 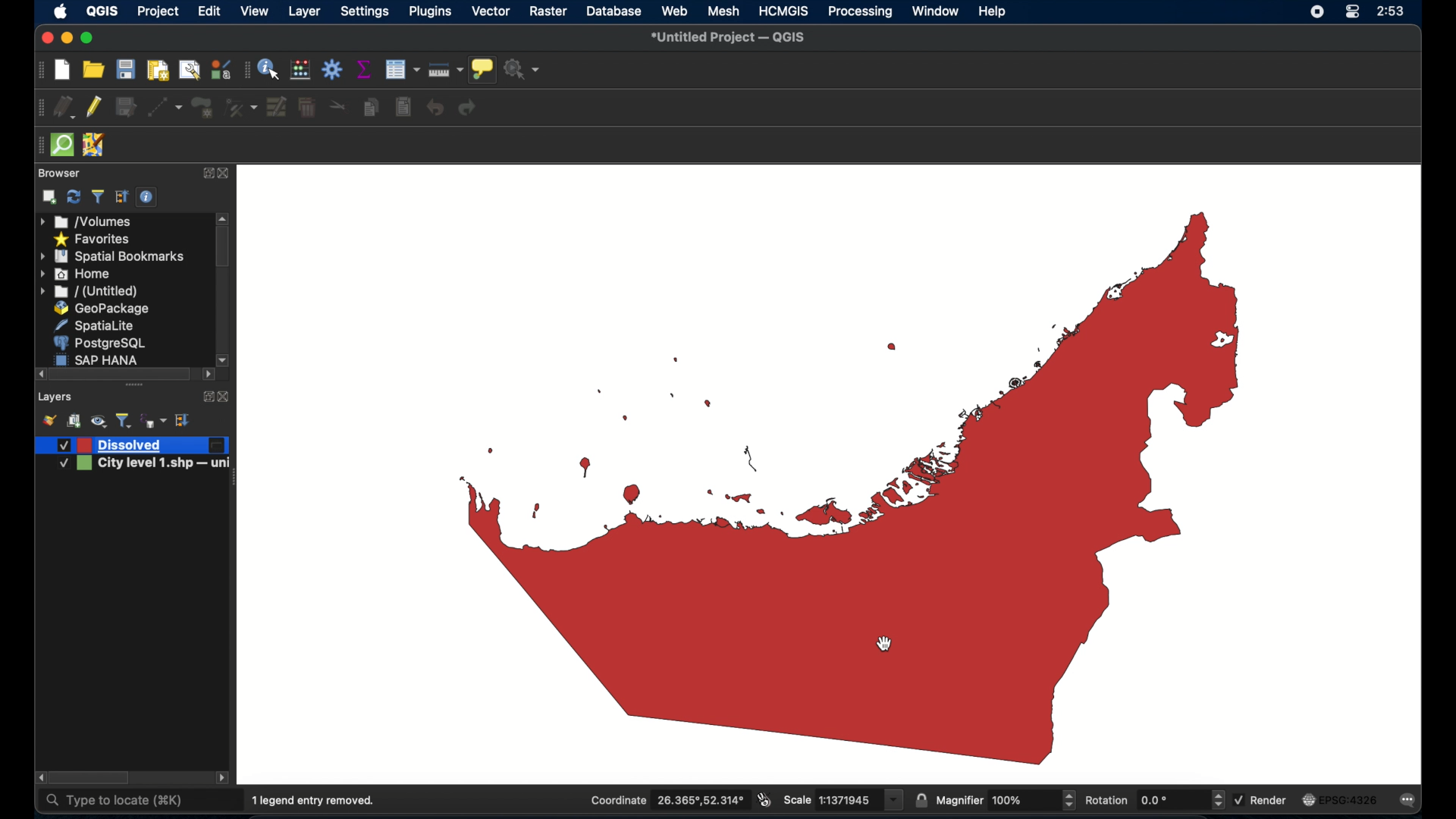 I want to click on scroll right arrow, so click(x=224, y=359).